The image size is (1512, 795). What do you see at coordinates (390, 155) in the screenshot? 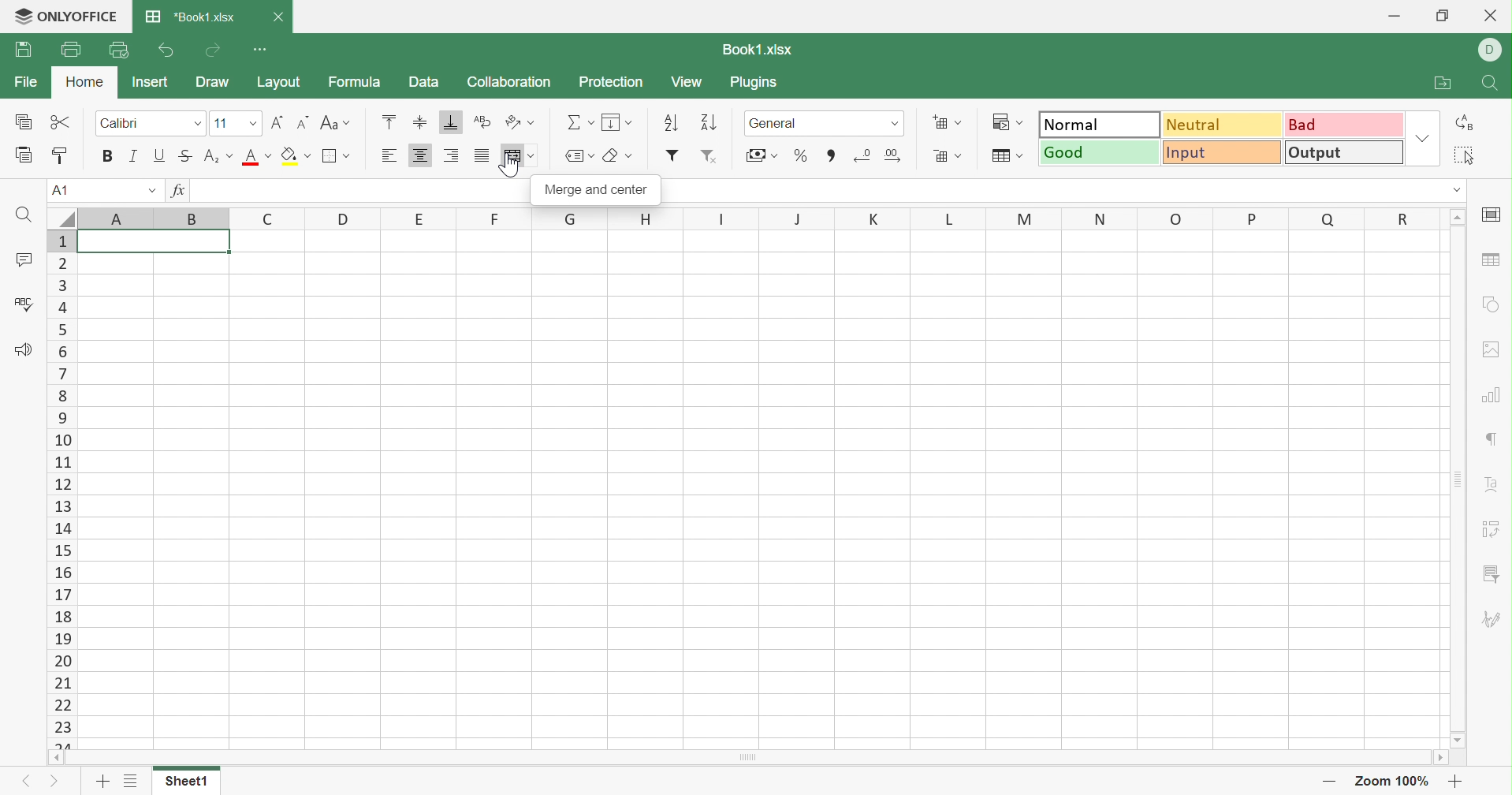
I see `Align Left` at bounding box center [390, 155].